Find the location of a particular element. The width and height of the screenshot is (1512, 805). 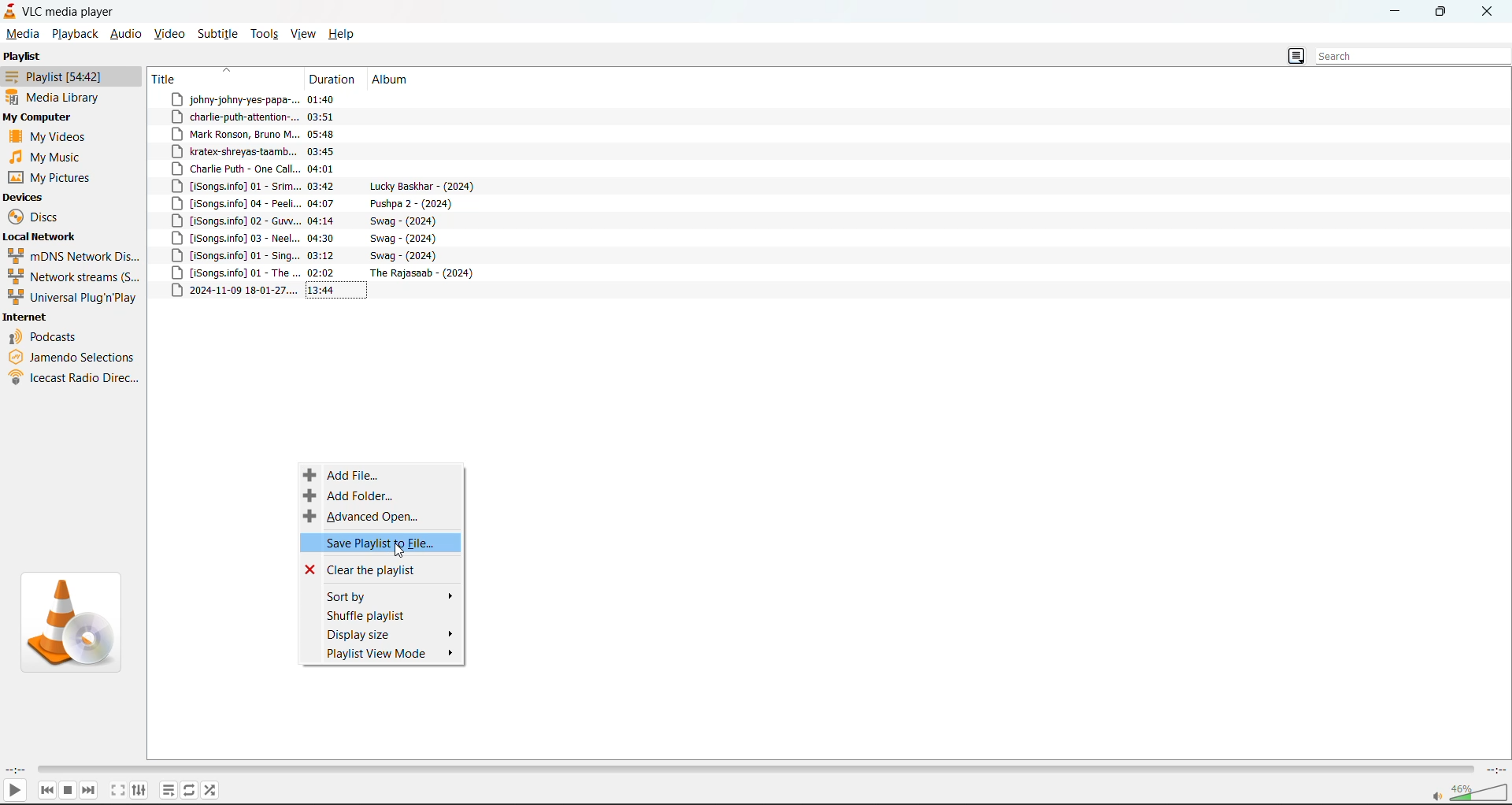

stop is located at coordinates (67, 789).